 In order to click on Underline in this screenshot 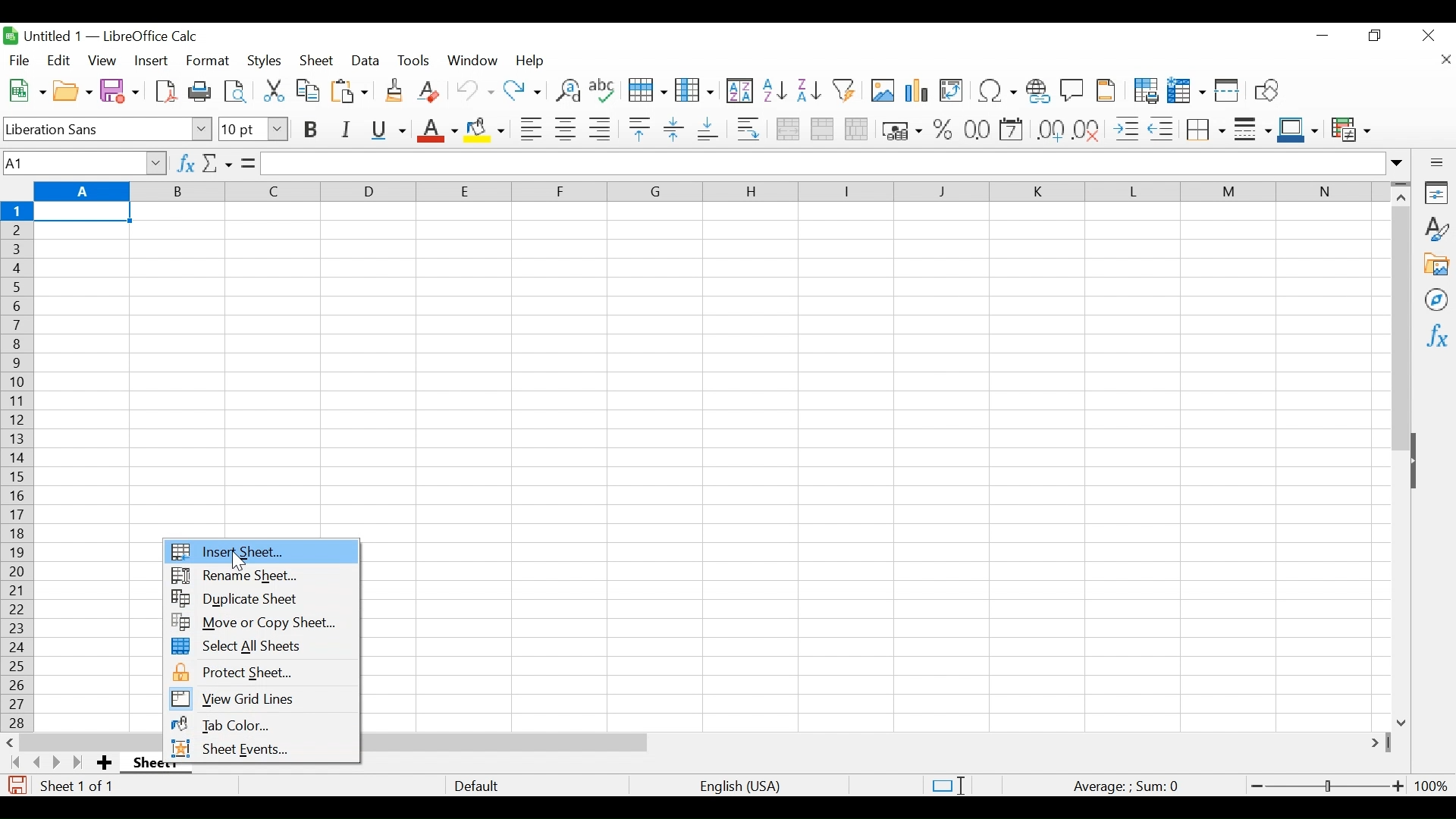, I will do `click(388, 130)`.